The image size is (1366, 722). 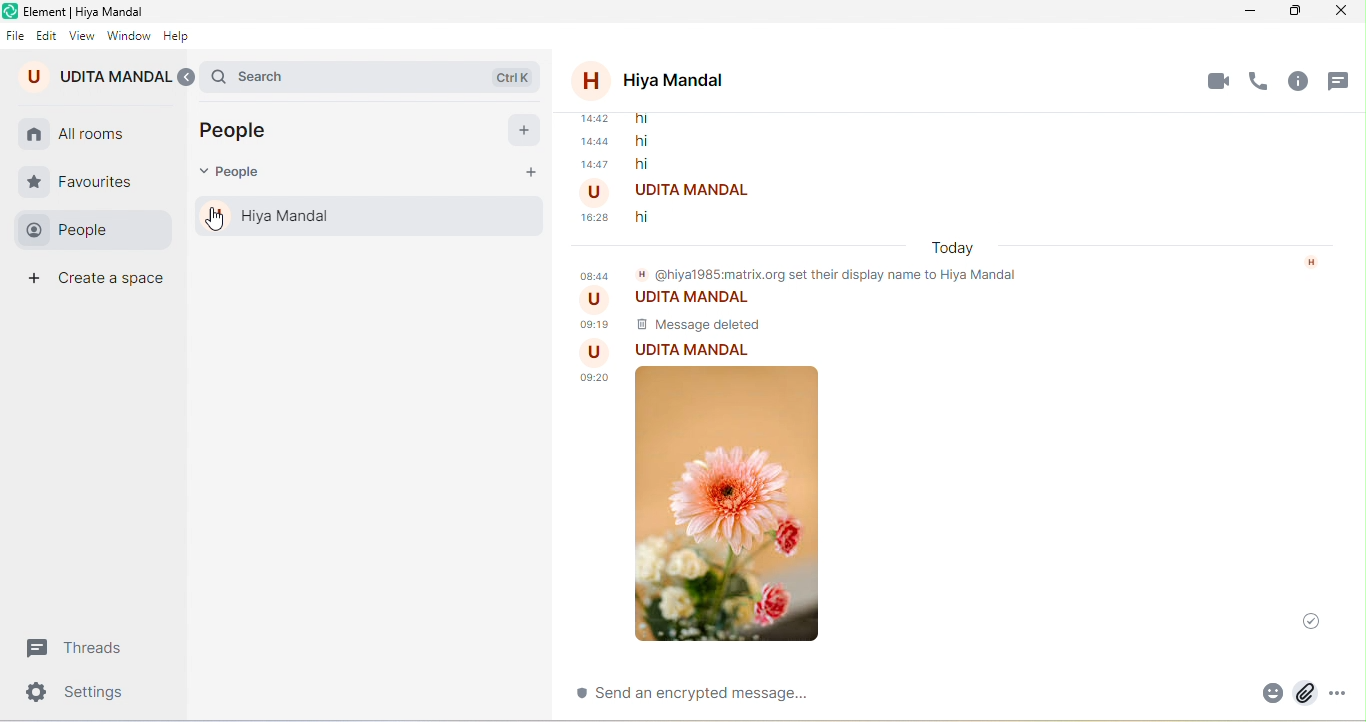 I want to click on cursor, so click(x=216, y=222).